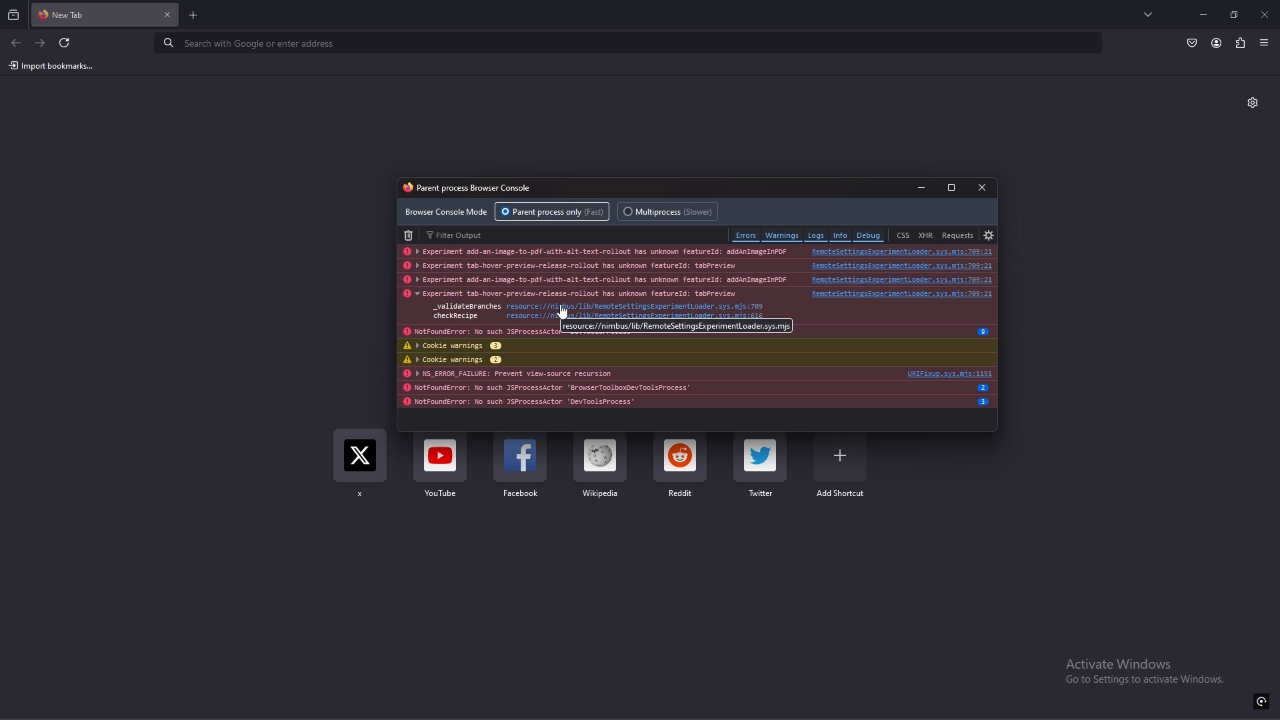  Describe the element at coordinates (984, 387) in the screenshot. I see `info` at that location.